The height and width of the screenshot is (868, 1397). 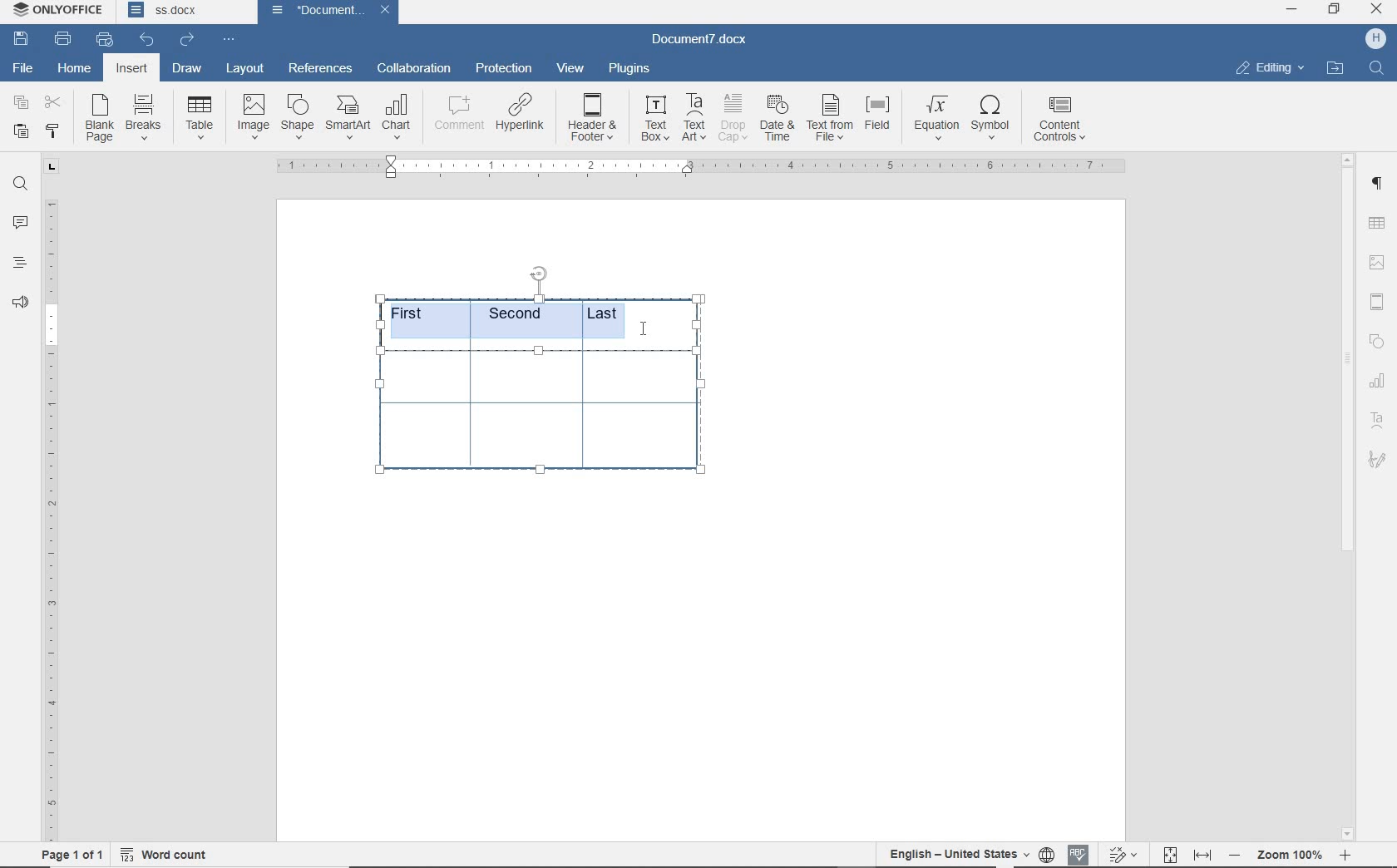 What do you see at coordinates (348, 119) in the screenshot?
I see `smart art` at bounding box center [348, 119].